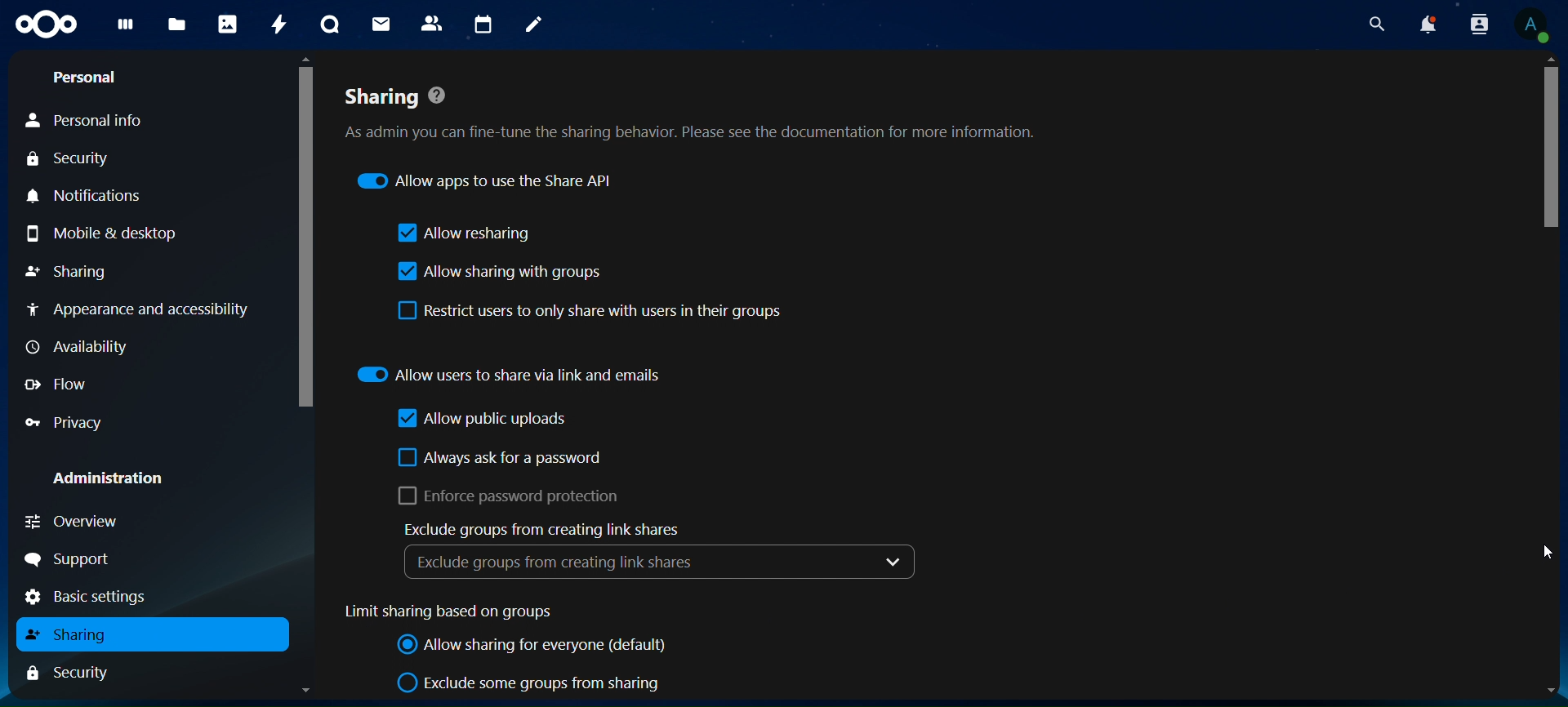  What do you see at coordinates (1429, 24) in the screenshot?
I see `notifications` at bounding box center [1429, 24].